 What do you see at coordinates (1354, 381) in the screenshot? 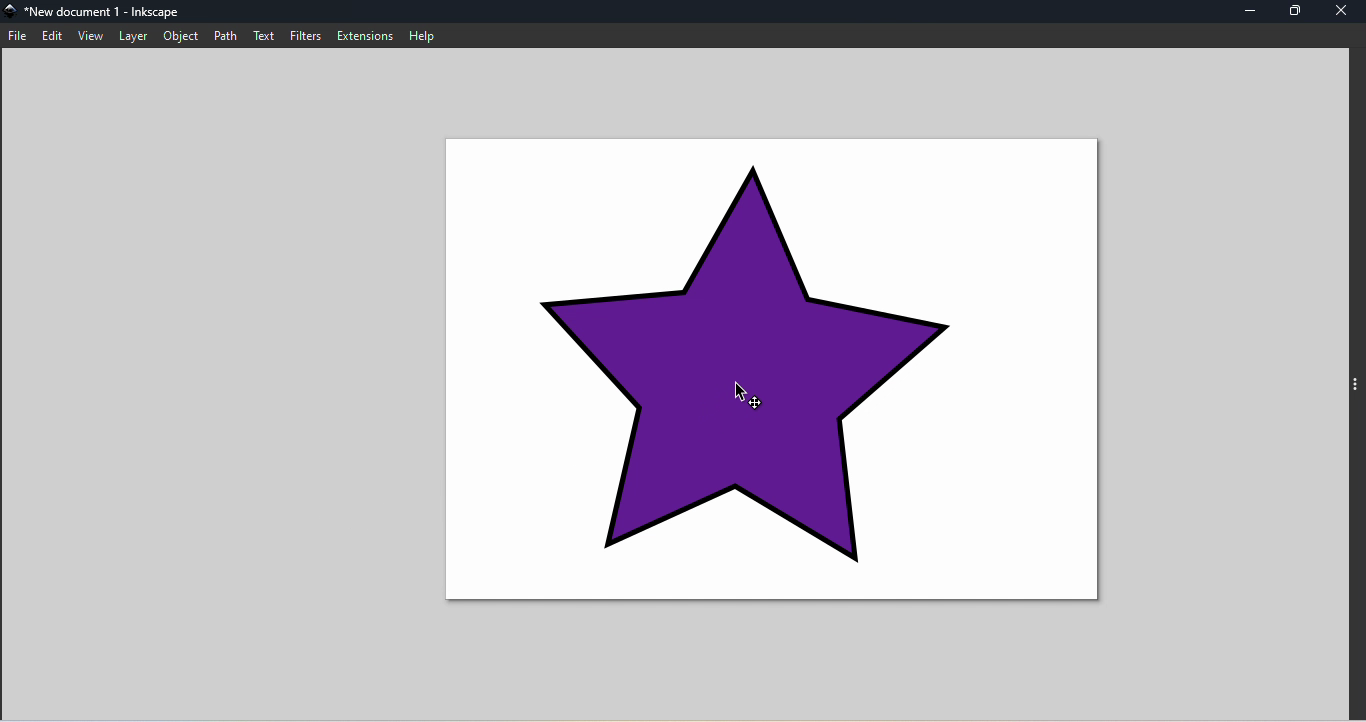
I see `toggle command panel` at bounding box center [1354, 381].